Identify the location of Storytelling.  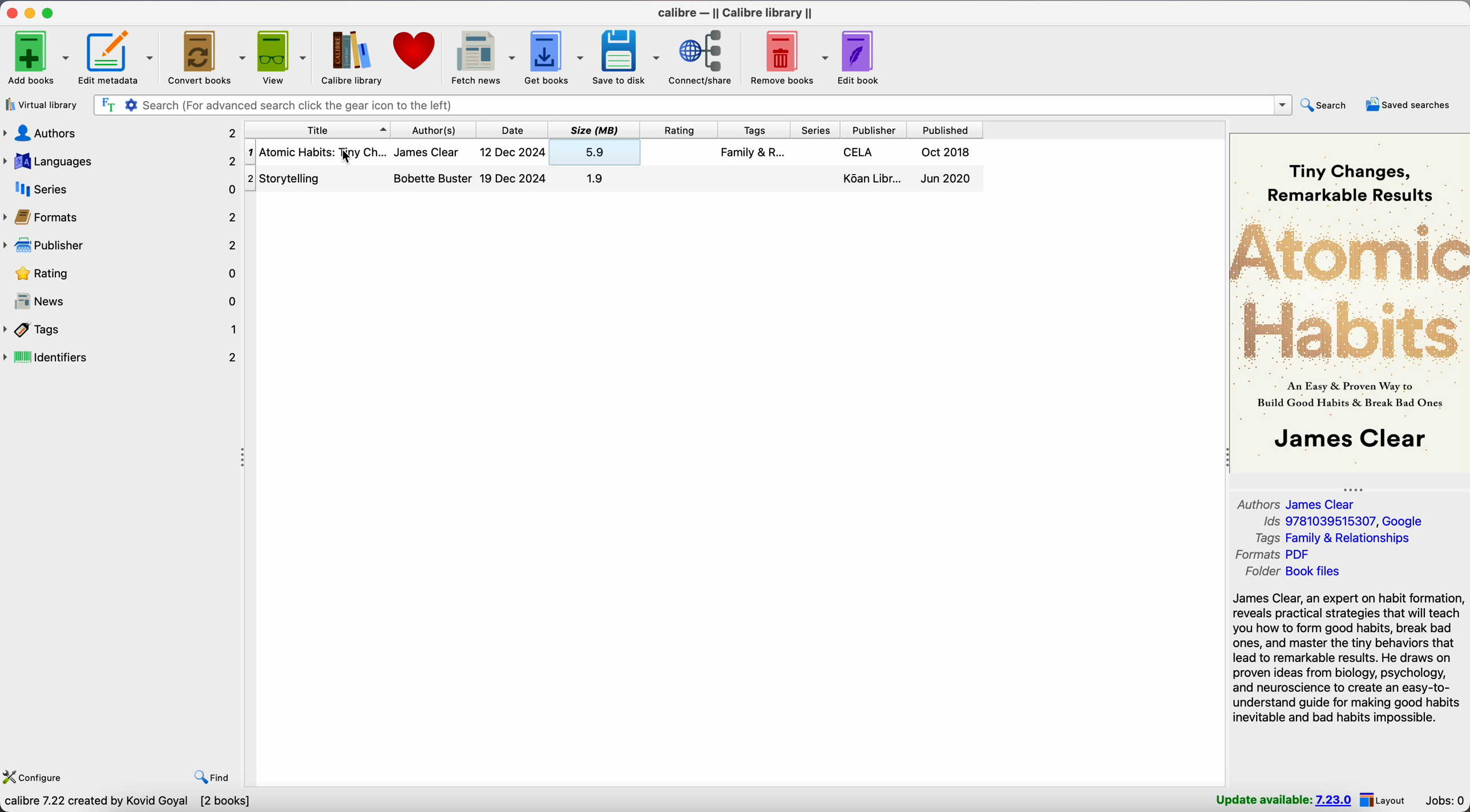
(613, 180).